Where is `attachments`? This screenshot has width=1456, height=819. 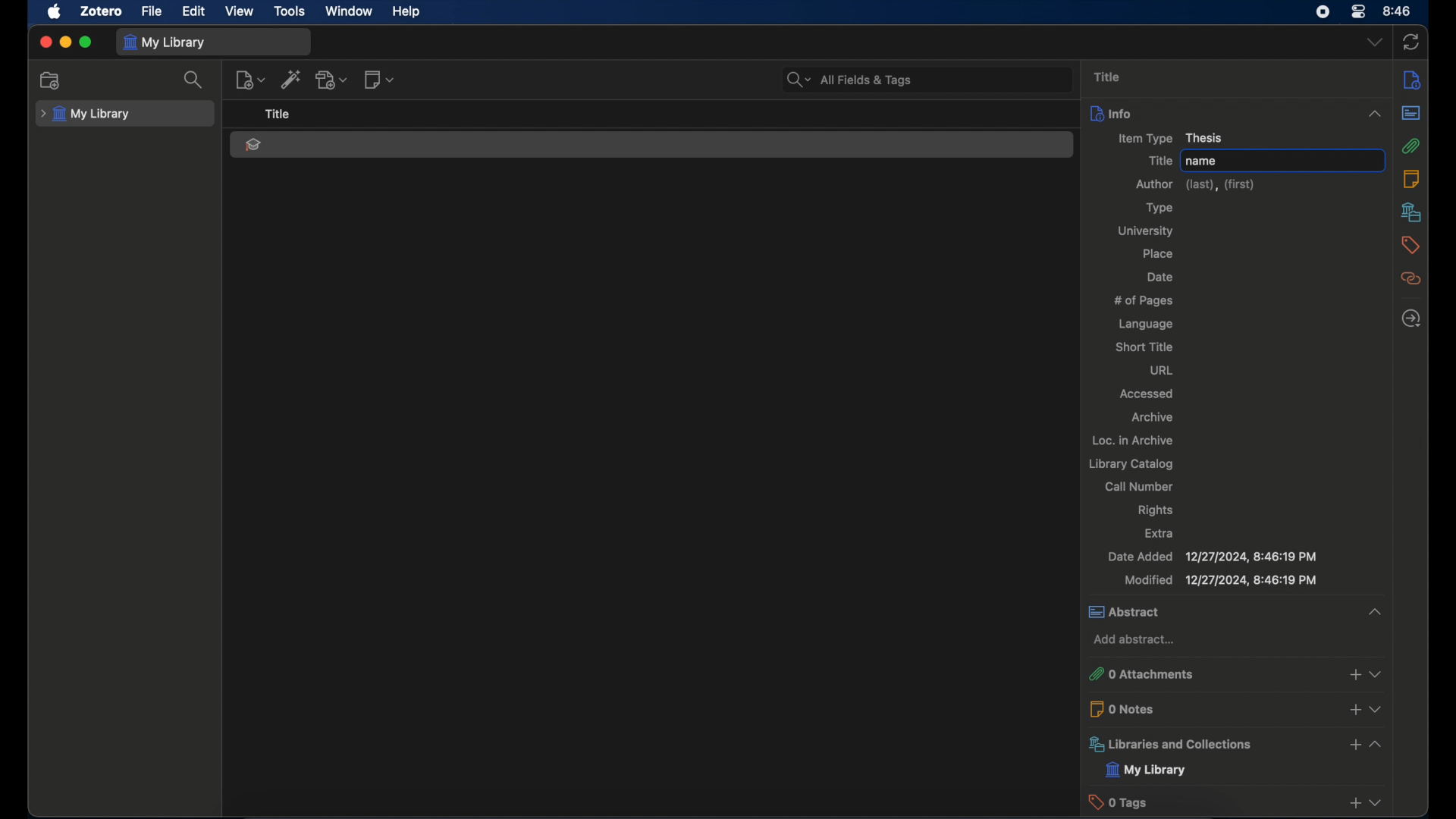 attachments is located at coordinates (1411, 146).